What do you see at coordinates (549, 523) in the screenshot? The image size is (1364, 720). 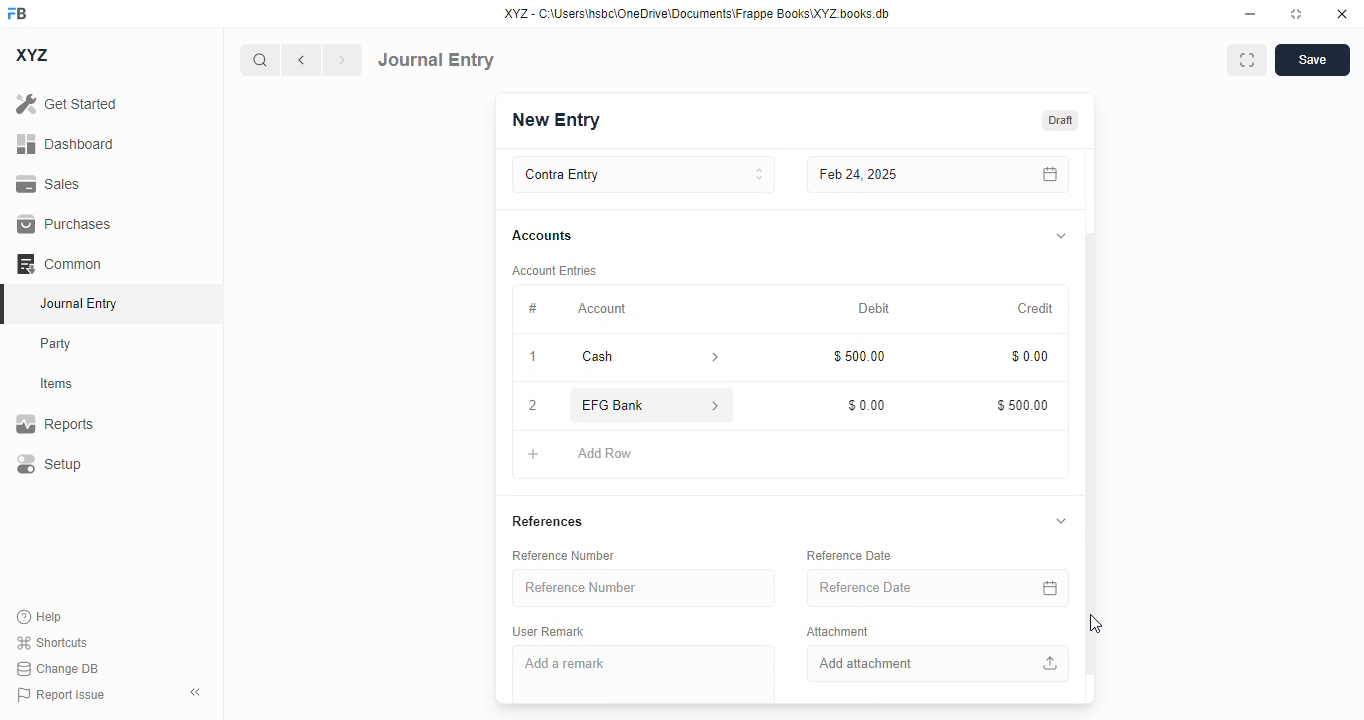 I see `references` at bounding box center [549, 523].